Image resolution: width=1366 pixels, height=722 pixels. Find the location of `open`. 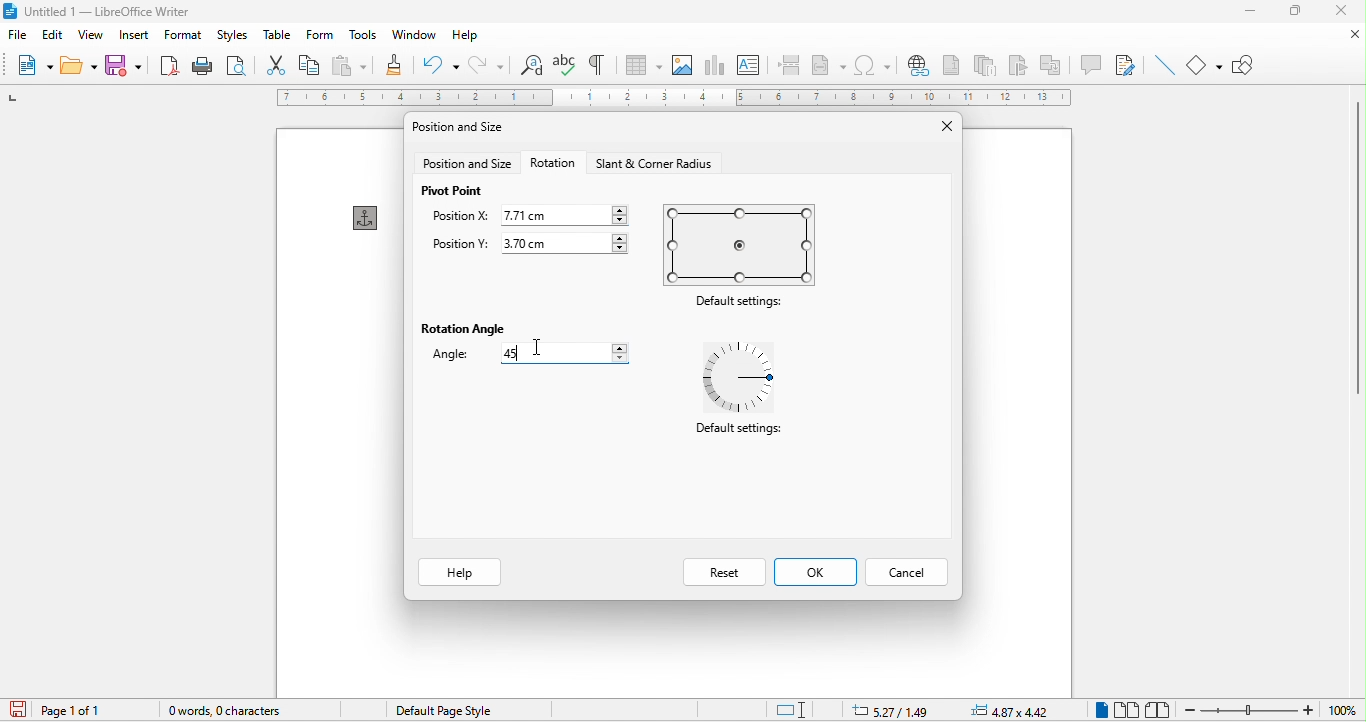

open is located at coordinates (79, 64).